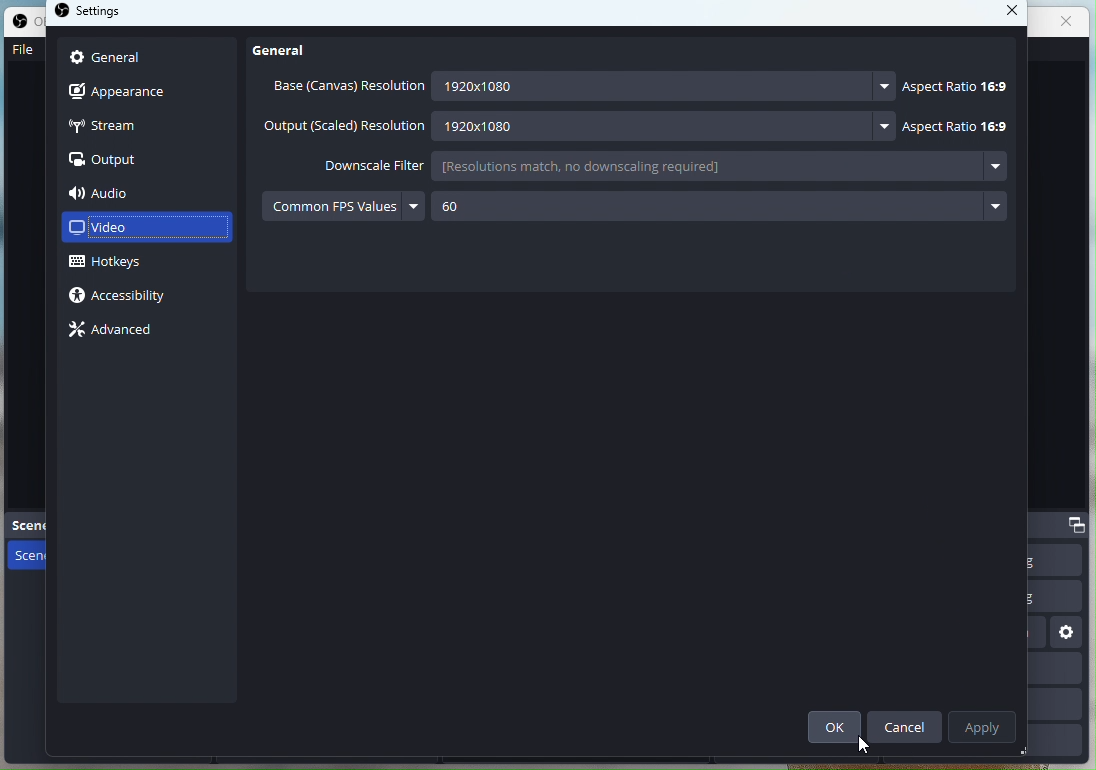 Image resolution: width=1096 pixels, height=770 pixels. Describe the element at coordinates (146, 230) in the screenshot. I see `Video` at that location.